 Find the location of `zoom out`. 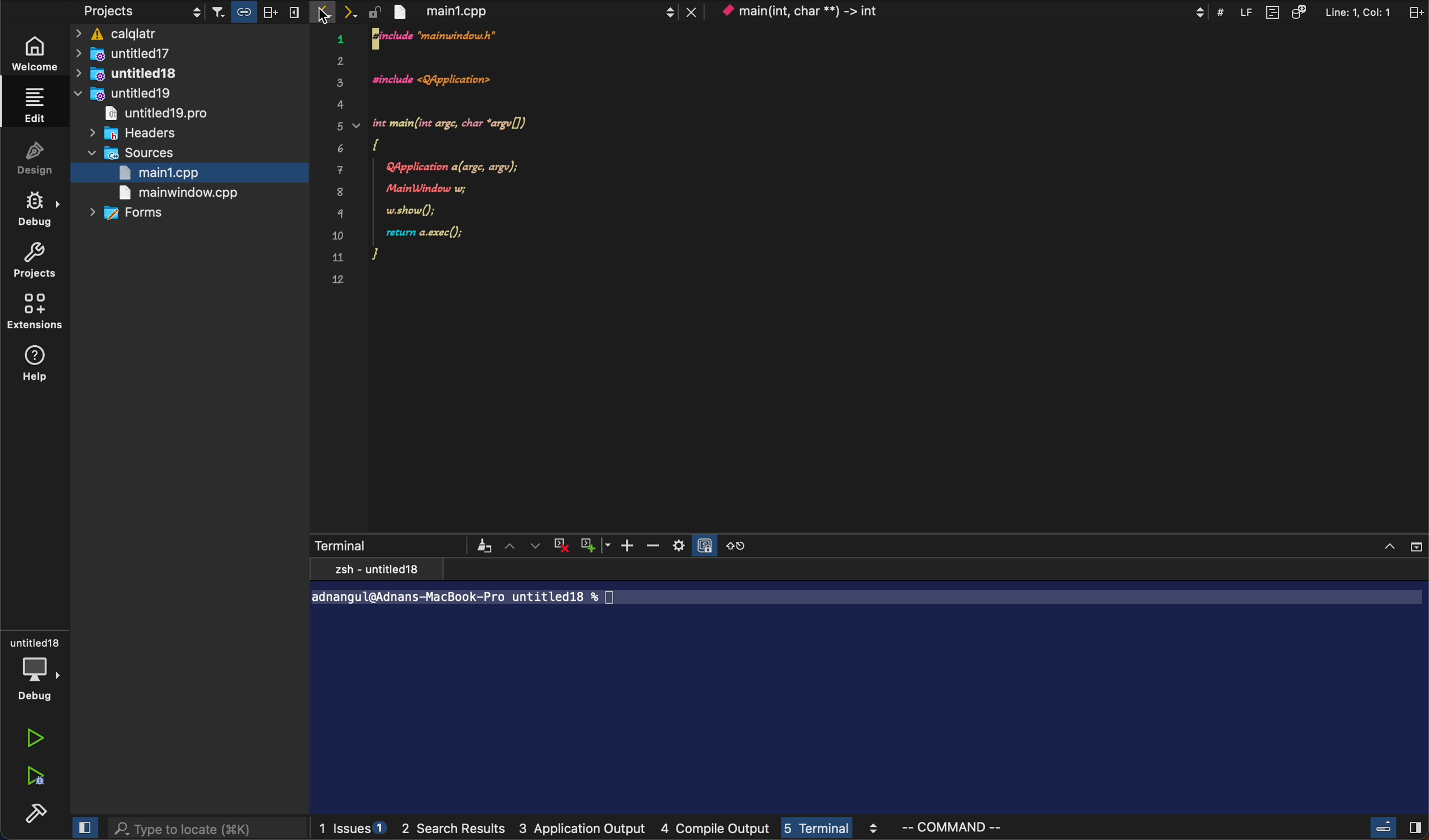

zoom out is located at coordinates (658, 546).